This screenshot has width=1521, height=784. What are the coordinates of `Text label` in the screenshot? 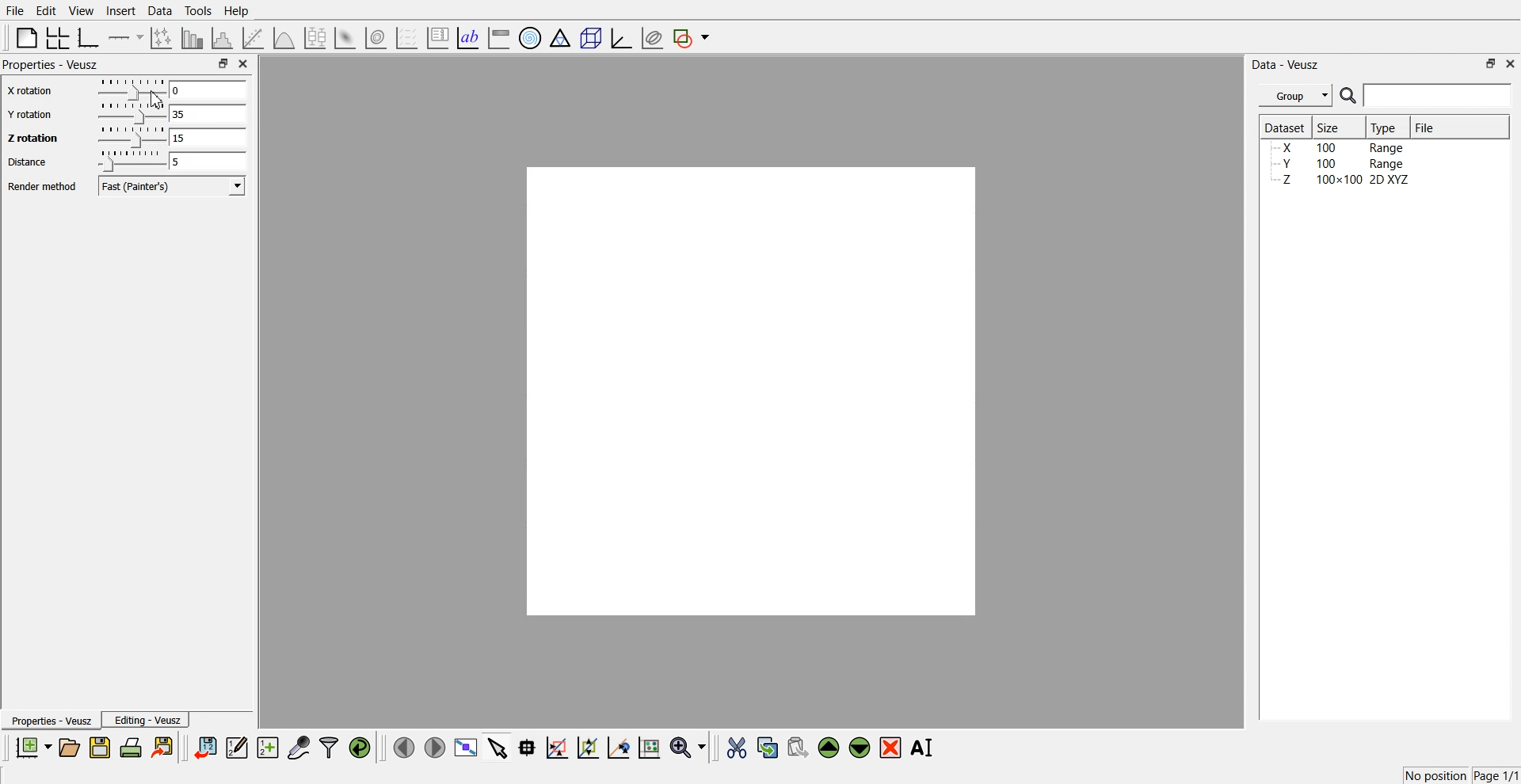 It's located at (468, 38).